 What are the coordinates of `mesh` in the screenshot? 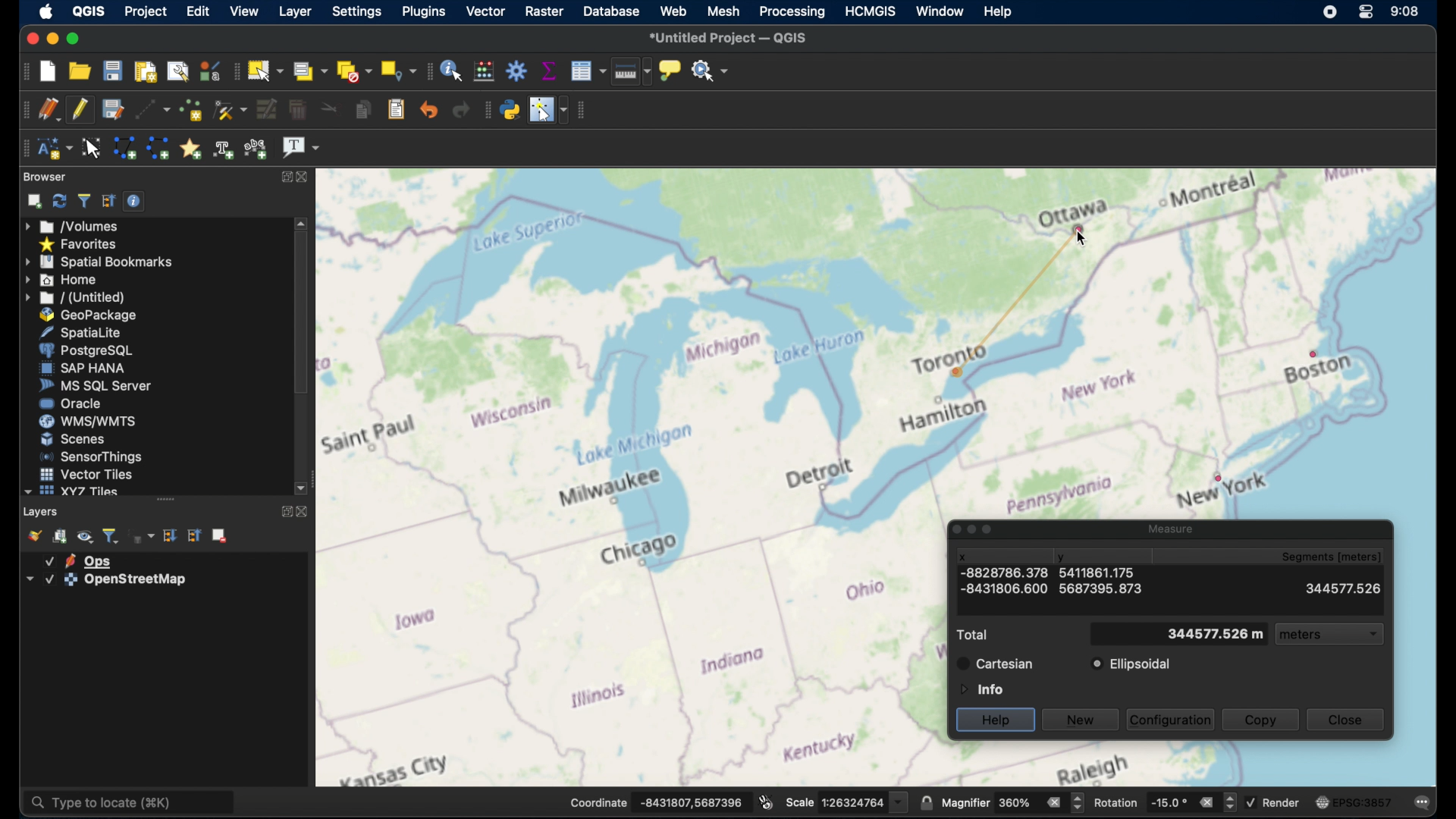 It's located at (723, 11).